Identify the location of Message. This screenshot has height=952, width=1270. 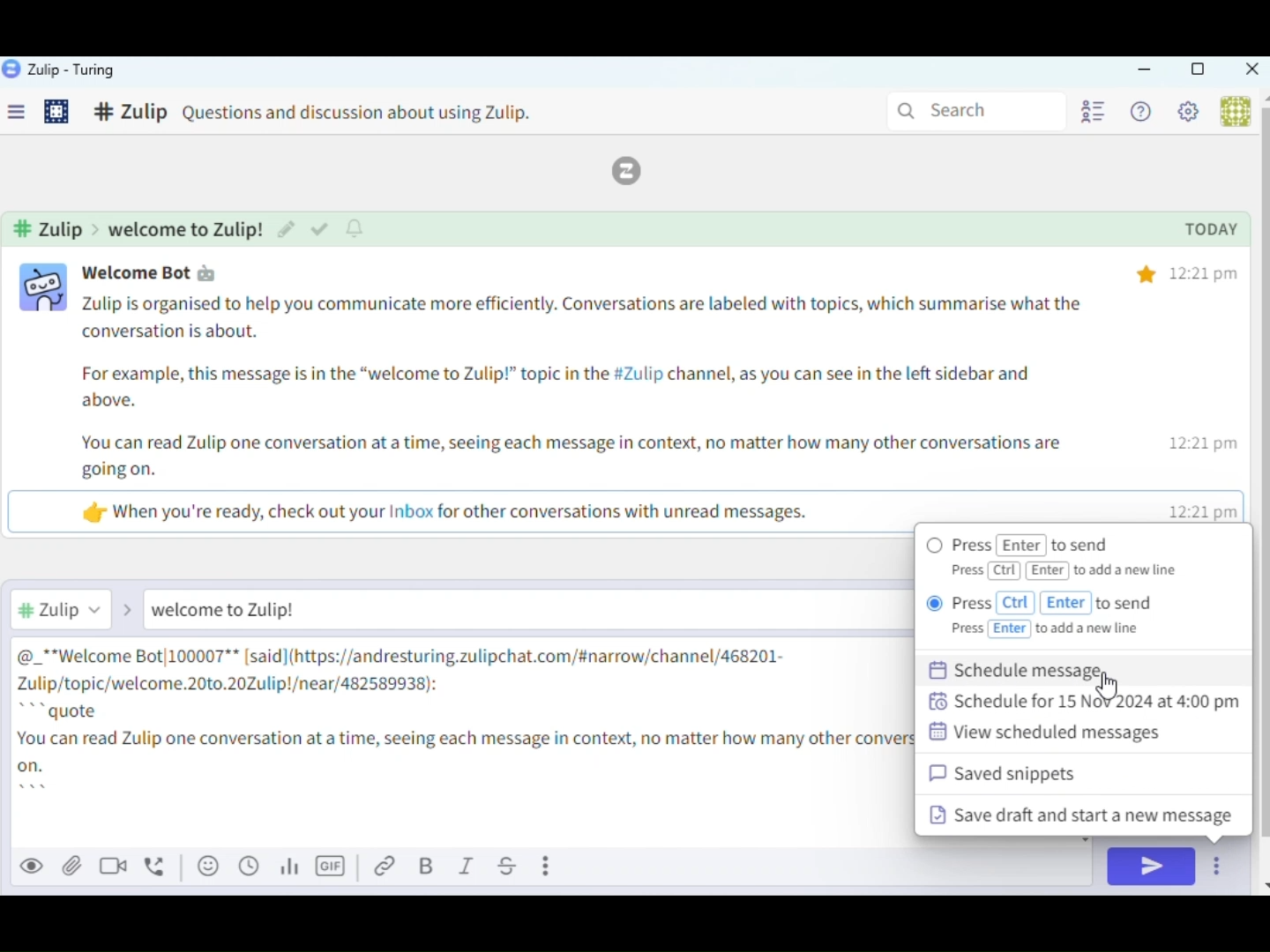
(503, 610).